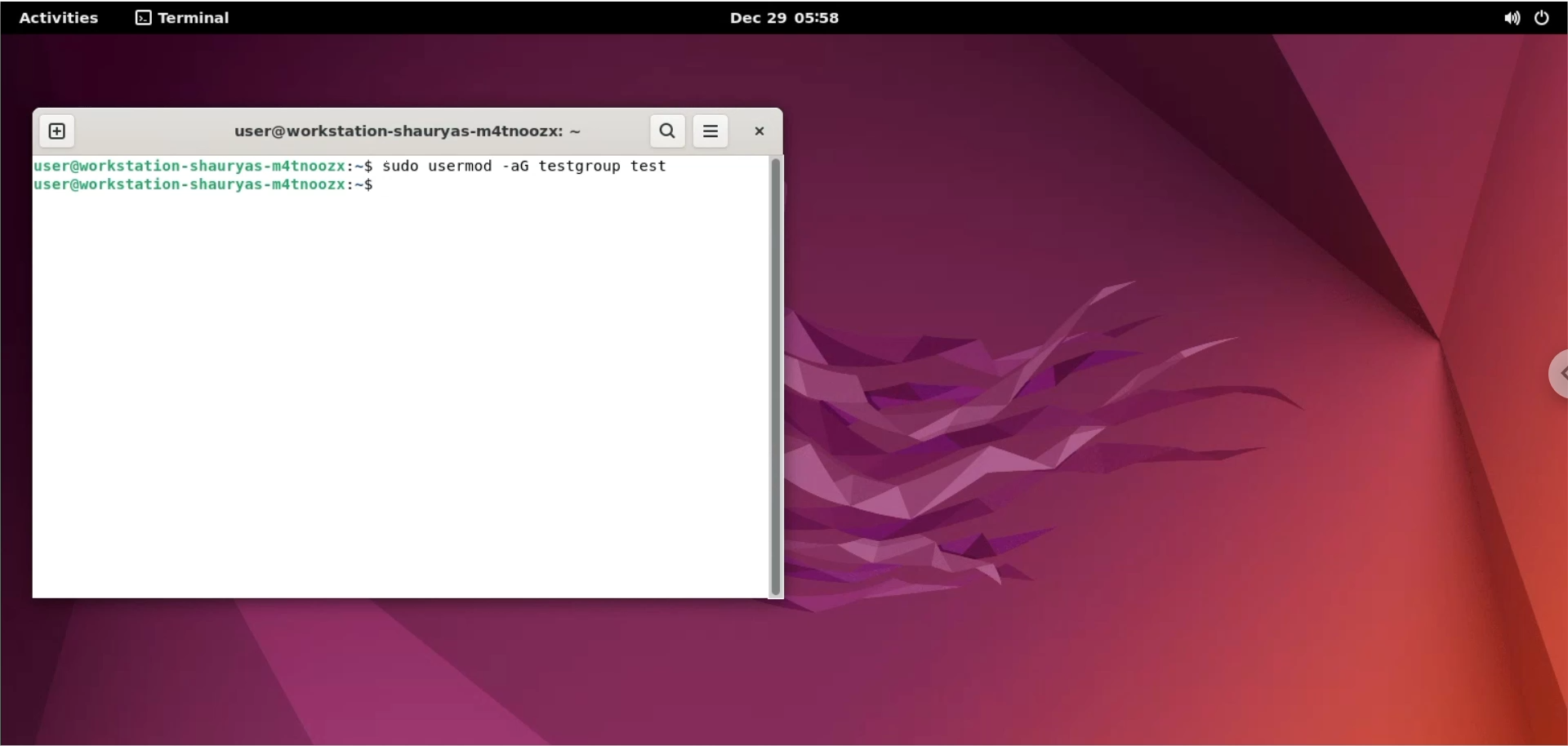 The image size is (1568, 746). Describe the element at coordinates (712, 132) in the screenshot. I see `more options` at that location.